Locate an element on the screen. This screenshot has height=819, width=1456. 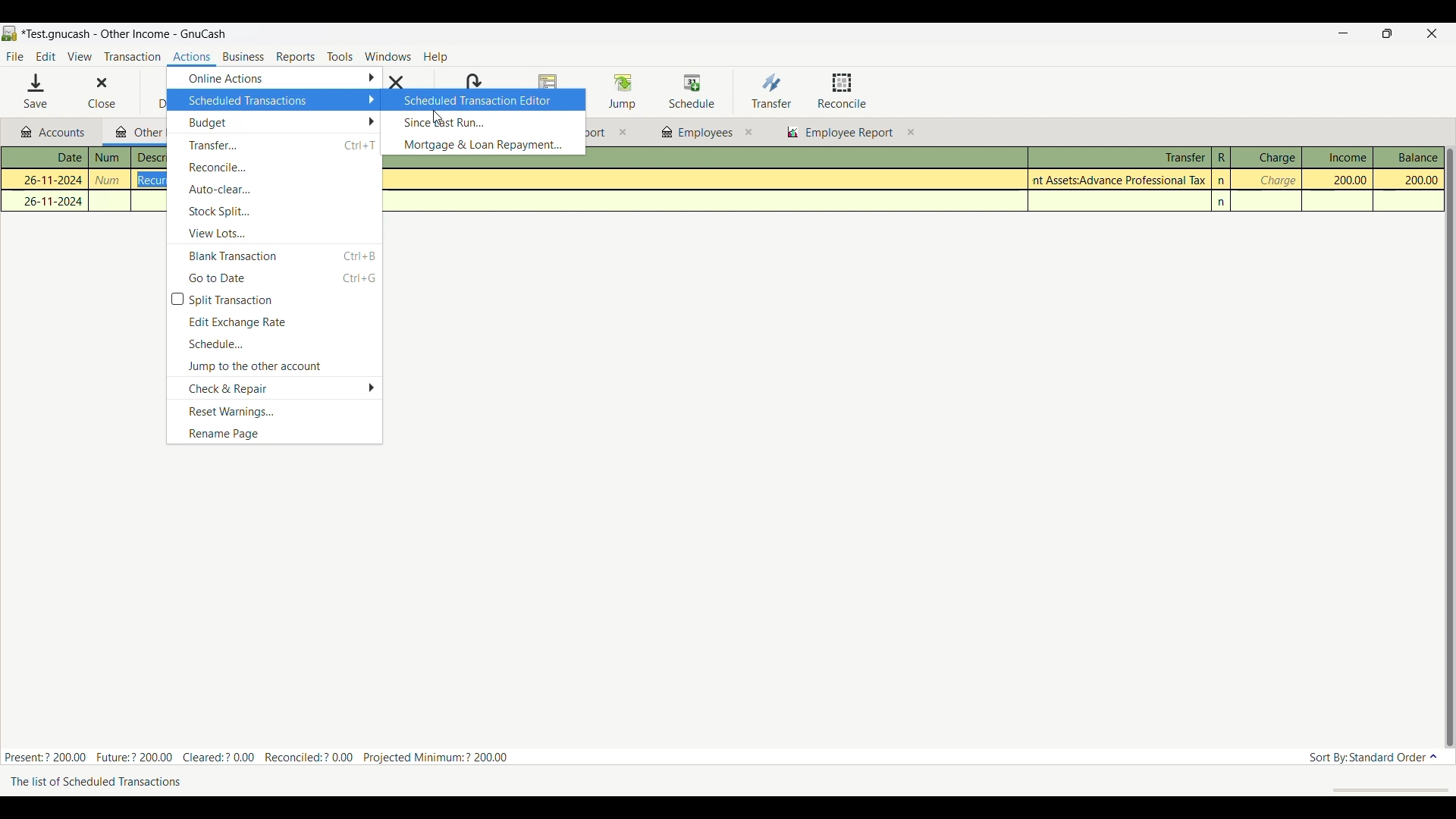
Tools menu is located at coordinates (340, 58).